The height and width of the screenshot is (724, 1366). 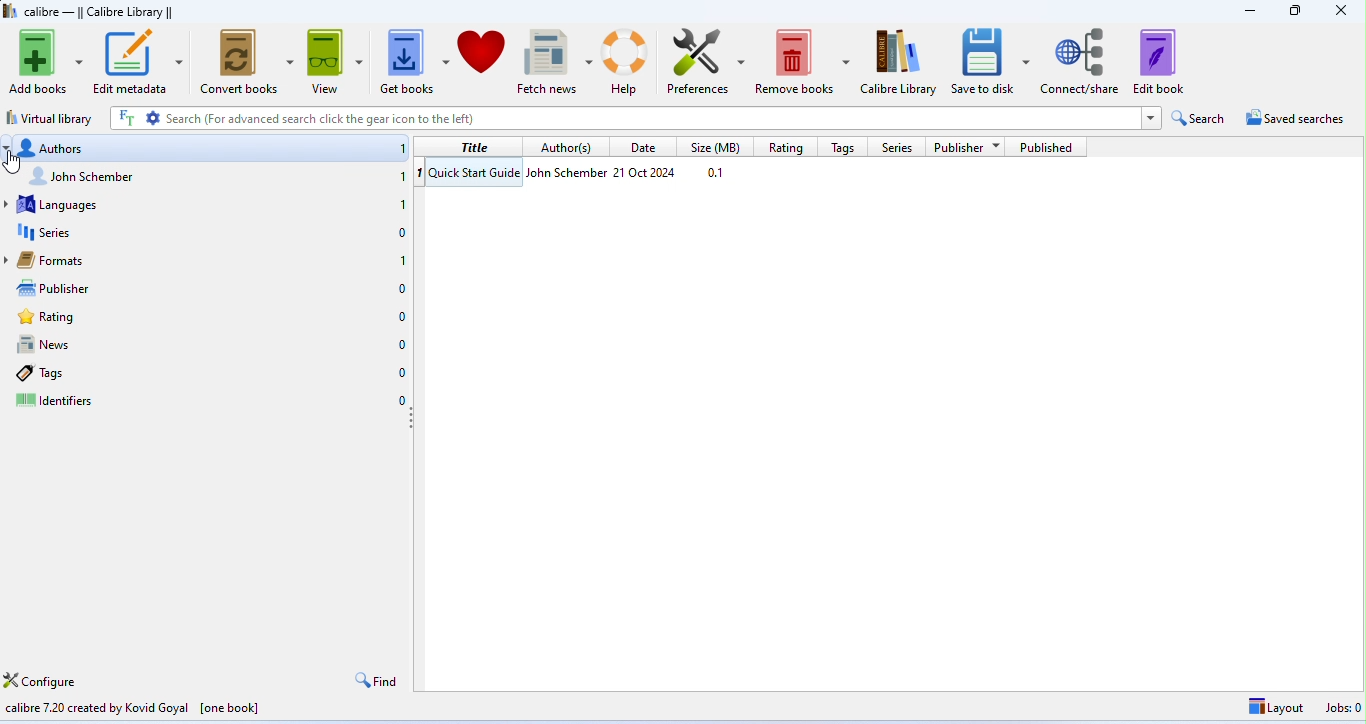 What do you see at coordinates (207, 375) in the screenshot?
I see `tags` at bounding box center [207, 375].